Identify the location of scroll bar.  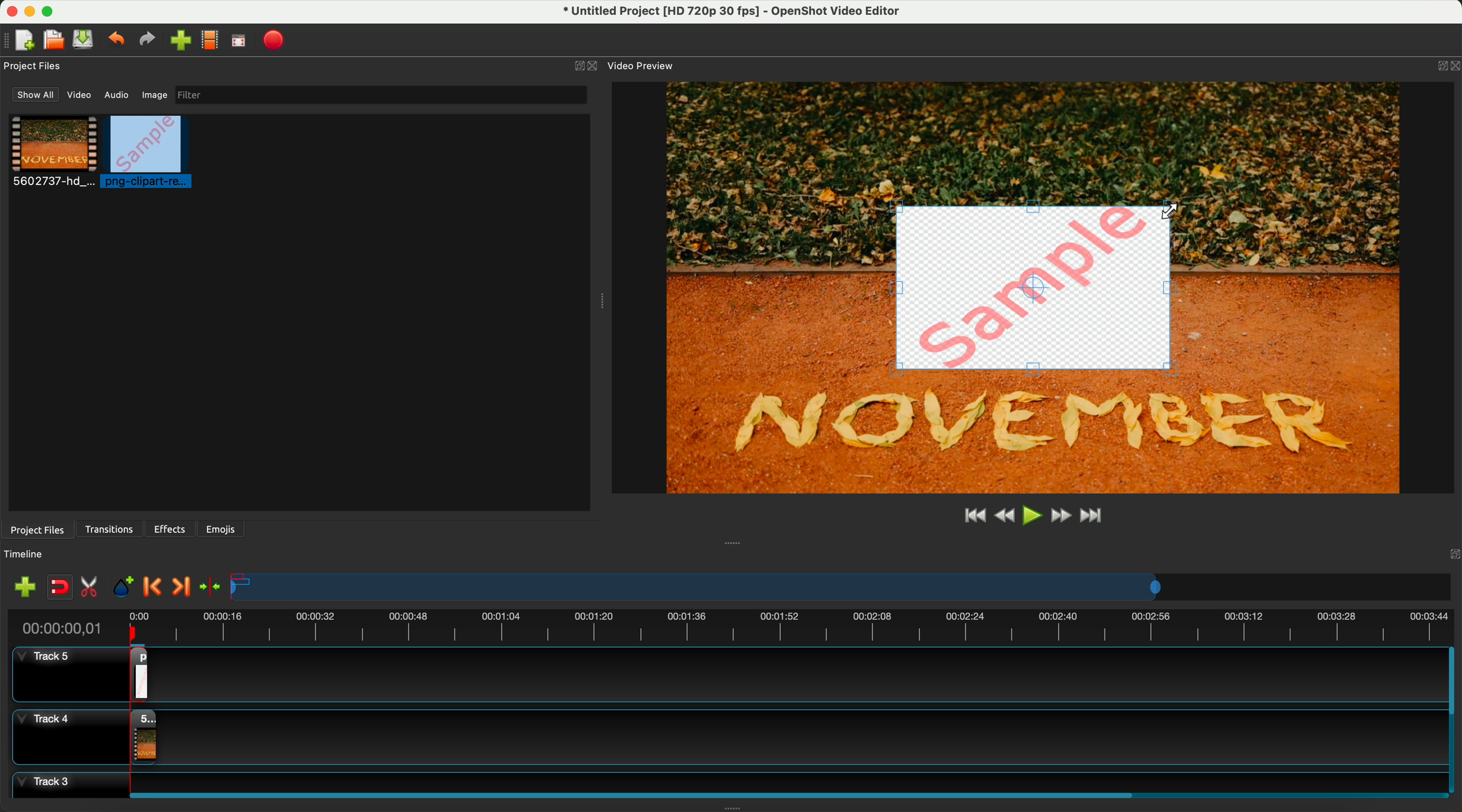
(783, 793).